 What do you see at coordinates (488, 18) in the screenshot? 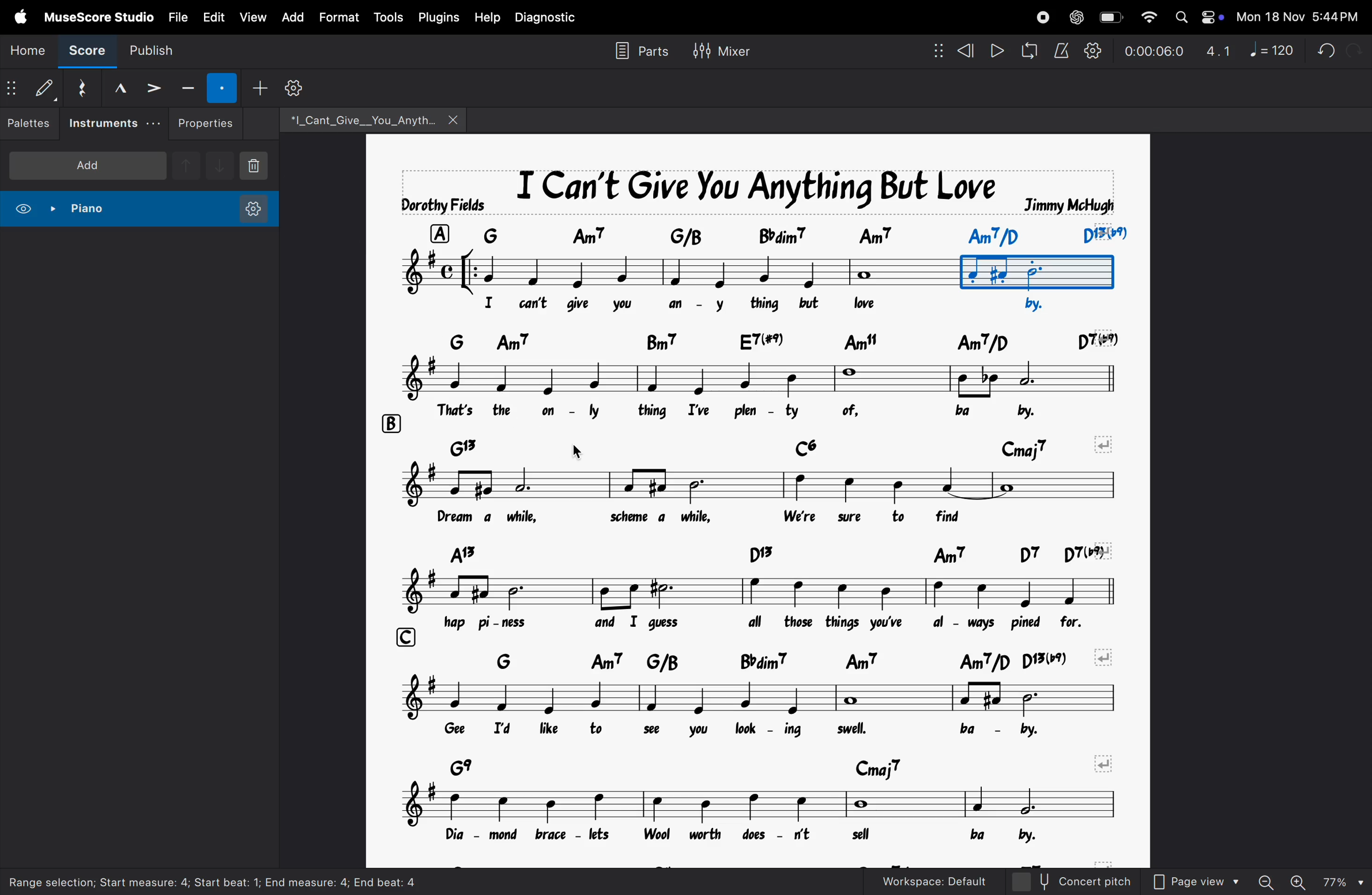
I see `help` at bounding box center [488, 18].